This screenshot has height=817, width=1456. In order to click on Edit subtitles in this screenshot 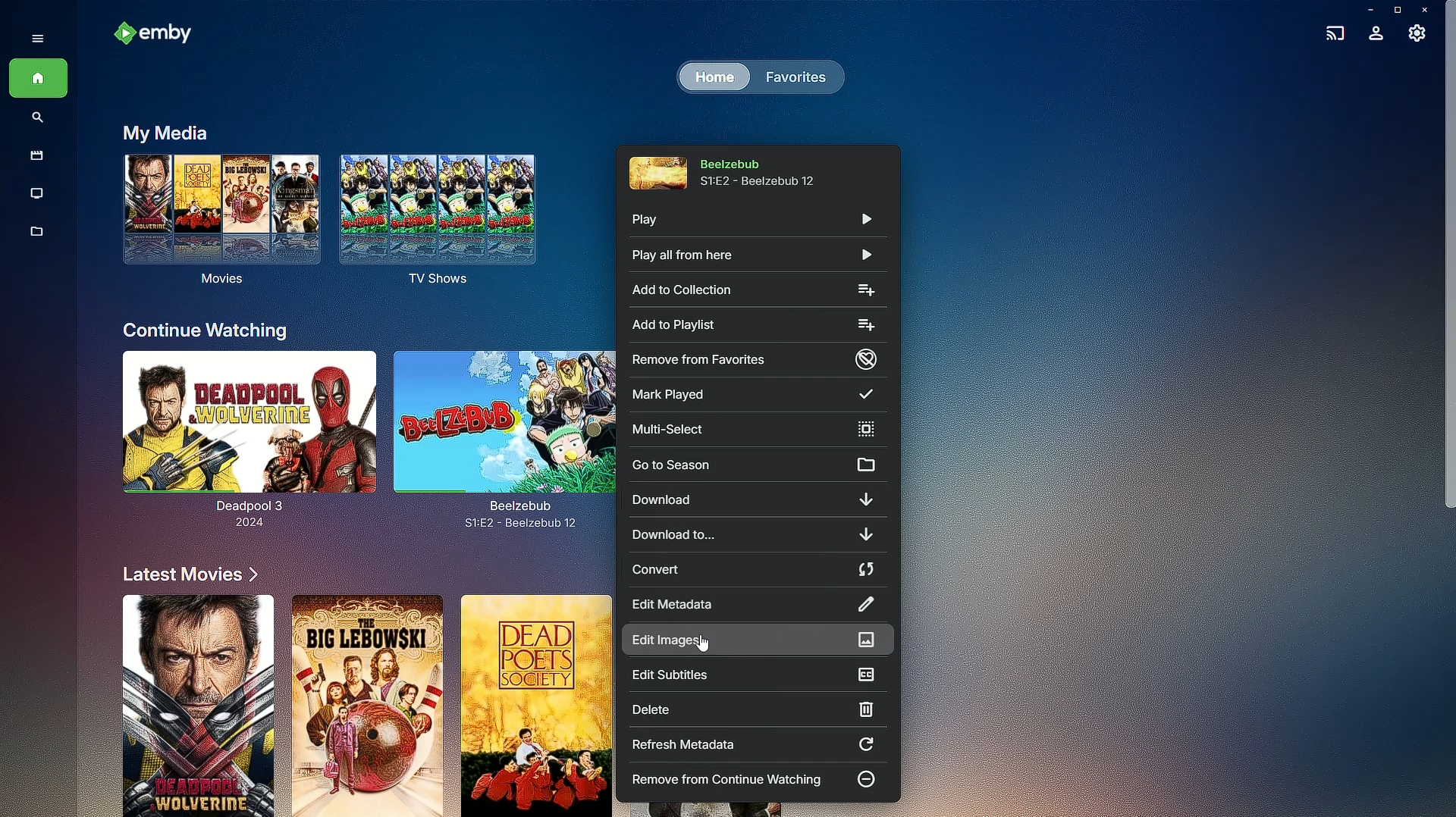, I will do `click(758, 676)`.